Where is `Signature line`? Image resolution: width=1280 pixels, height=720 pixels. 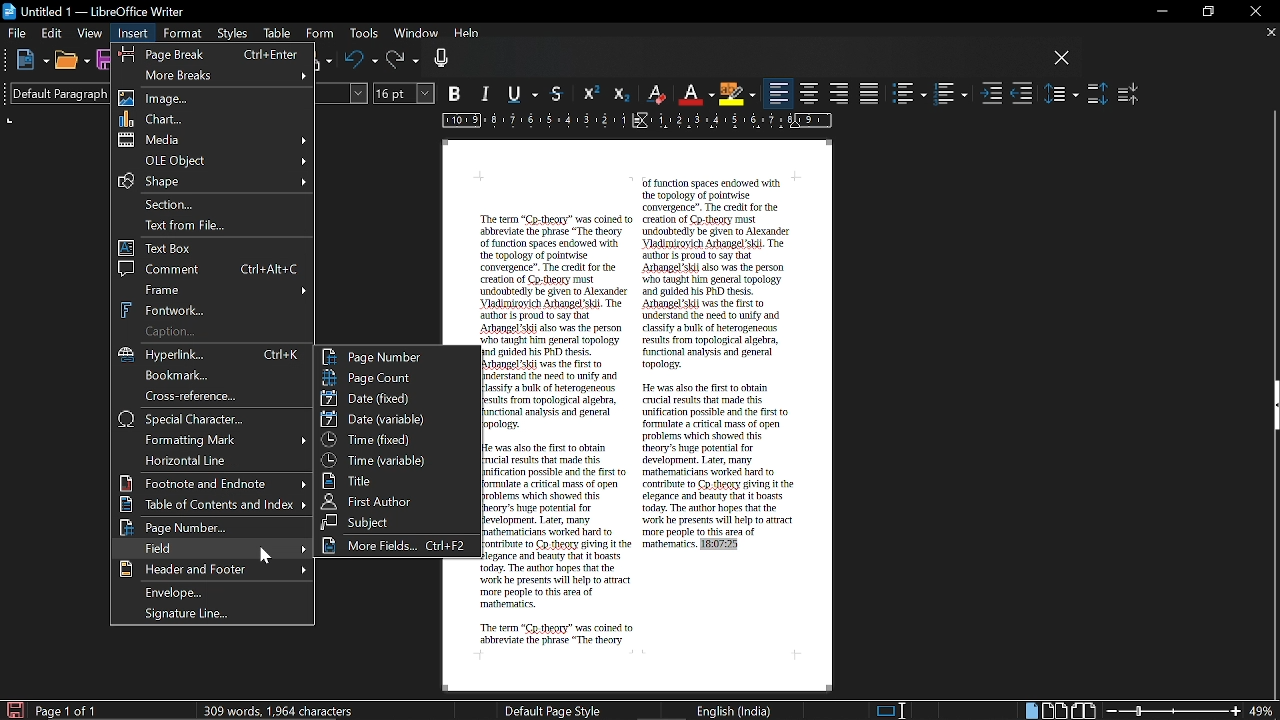
Signature line is located at coordinates (217, 614).